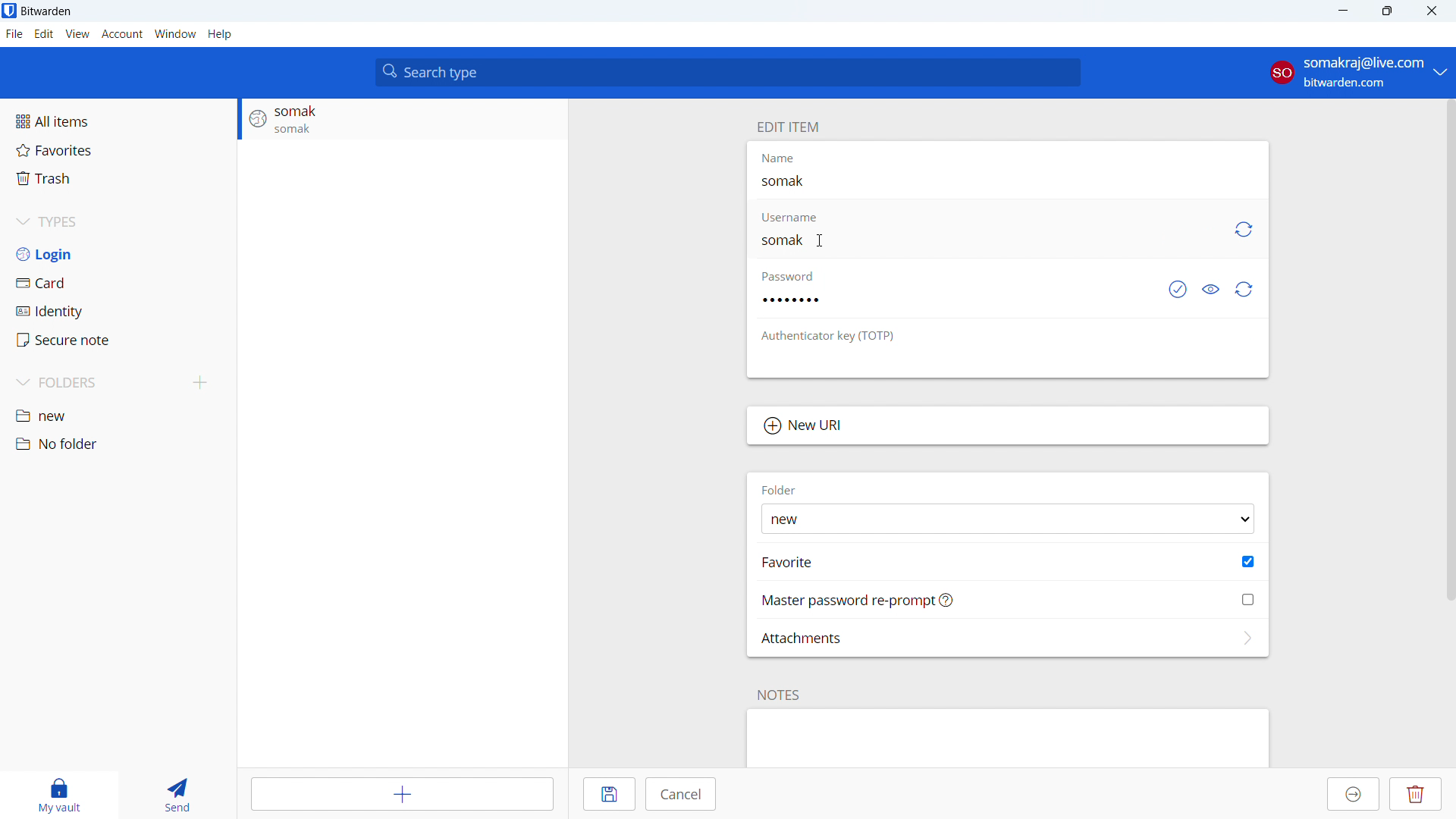 This screenshot has height=819, width=1456. What do you see at coordinates (118, 121) in the screenshot?
I see `all items` at bounding box center [118, 121].